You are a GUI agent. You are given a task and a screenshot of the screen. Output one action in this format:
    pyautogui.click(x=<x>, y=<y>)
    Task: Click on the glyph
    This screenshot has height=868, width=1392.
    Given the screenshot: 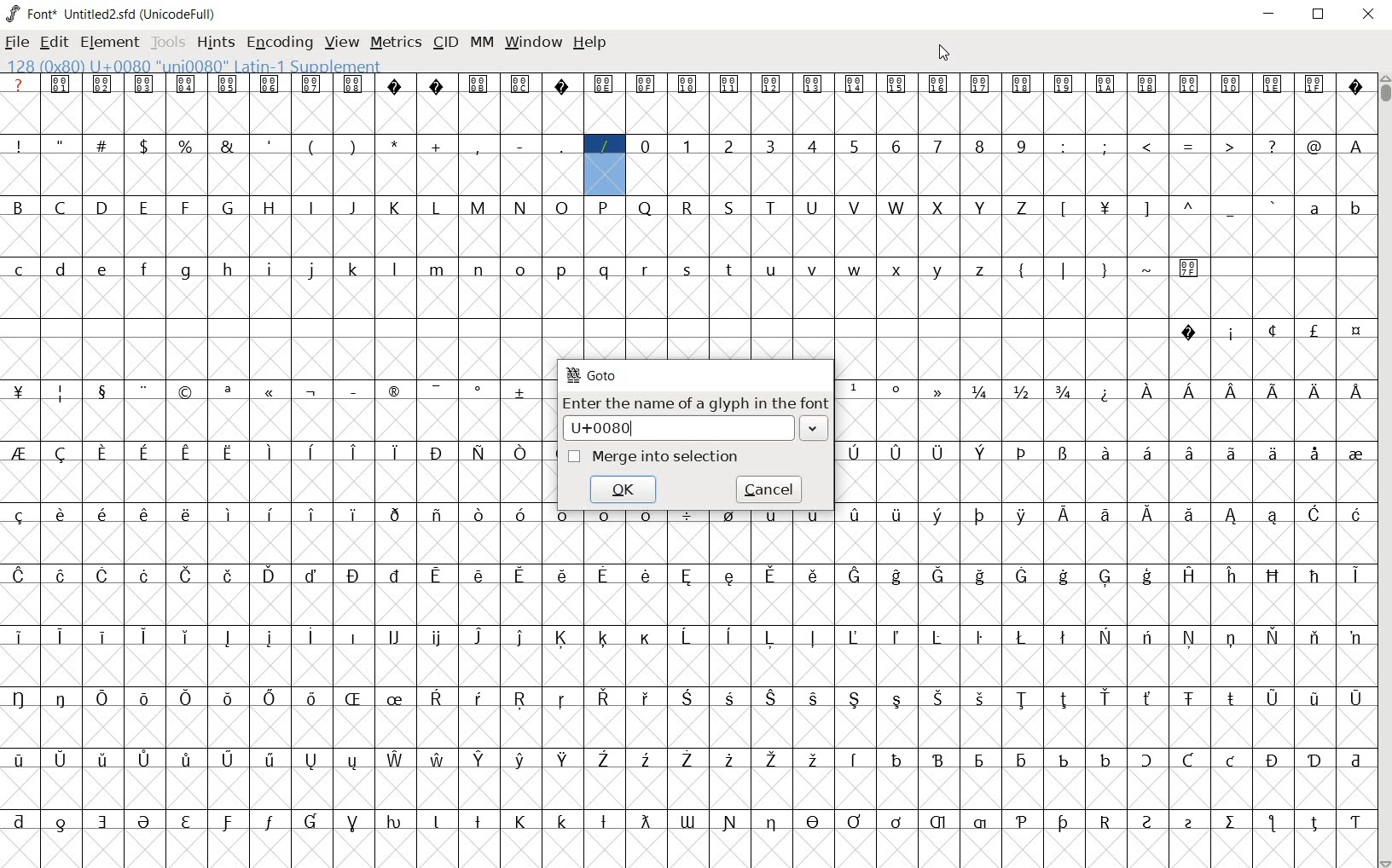 What is the action you would take?
    pyautogui.click(x=814, y=269)
    